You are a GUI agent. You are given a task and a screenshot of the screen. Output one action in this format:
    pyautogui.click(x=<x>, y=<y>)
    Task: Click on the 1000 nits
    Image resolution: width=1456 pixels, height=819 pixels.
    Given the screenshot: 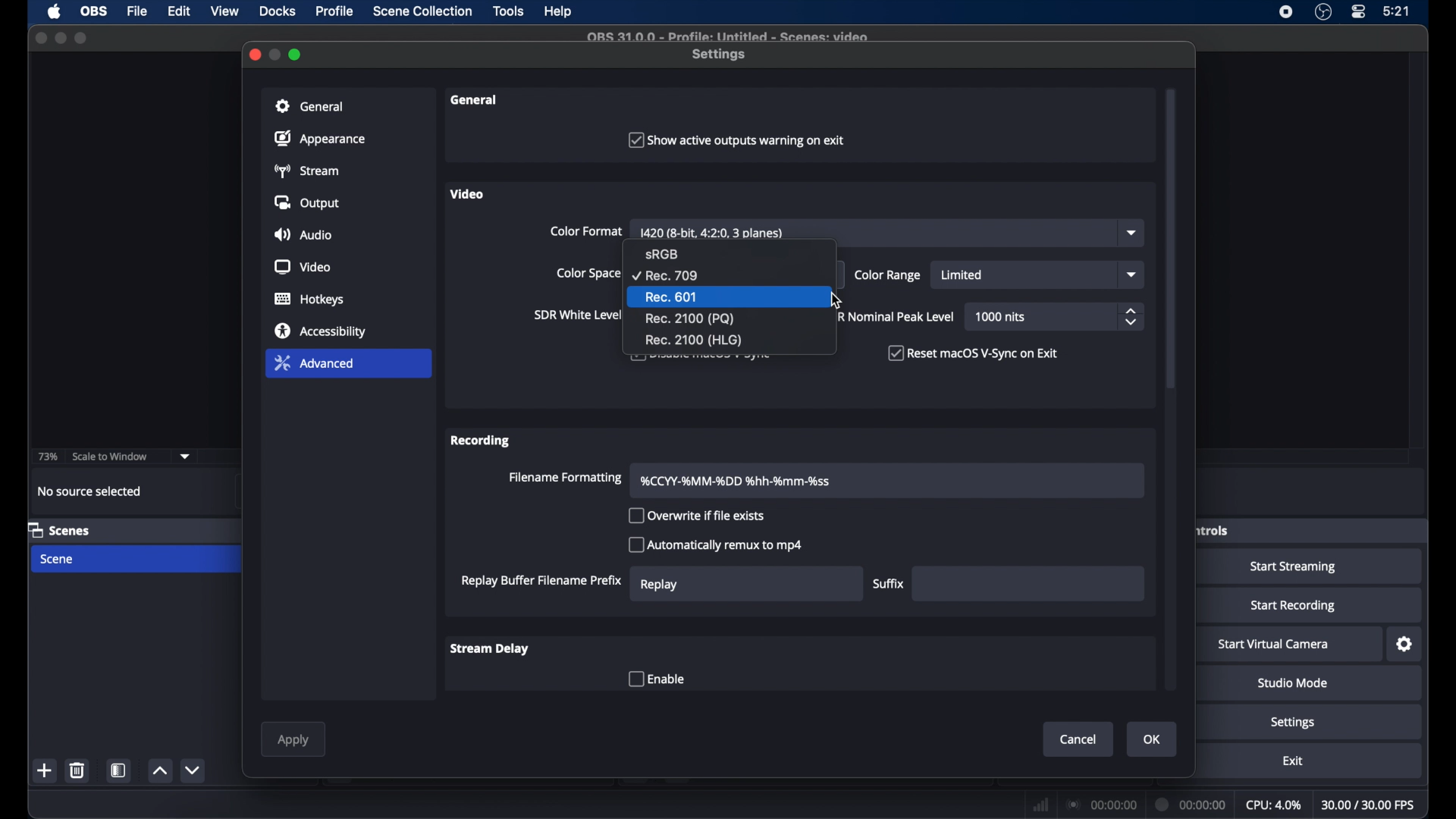 What is the action you would take?
    pyautogui.click(x=1001, y=317)
    